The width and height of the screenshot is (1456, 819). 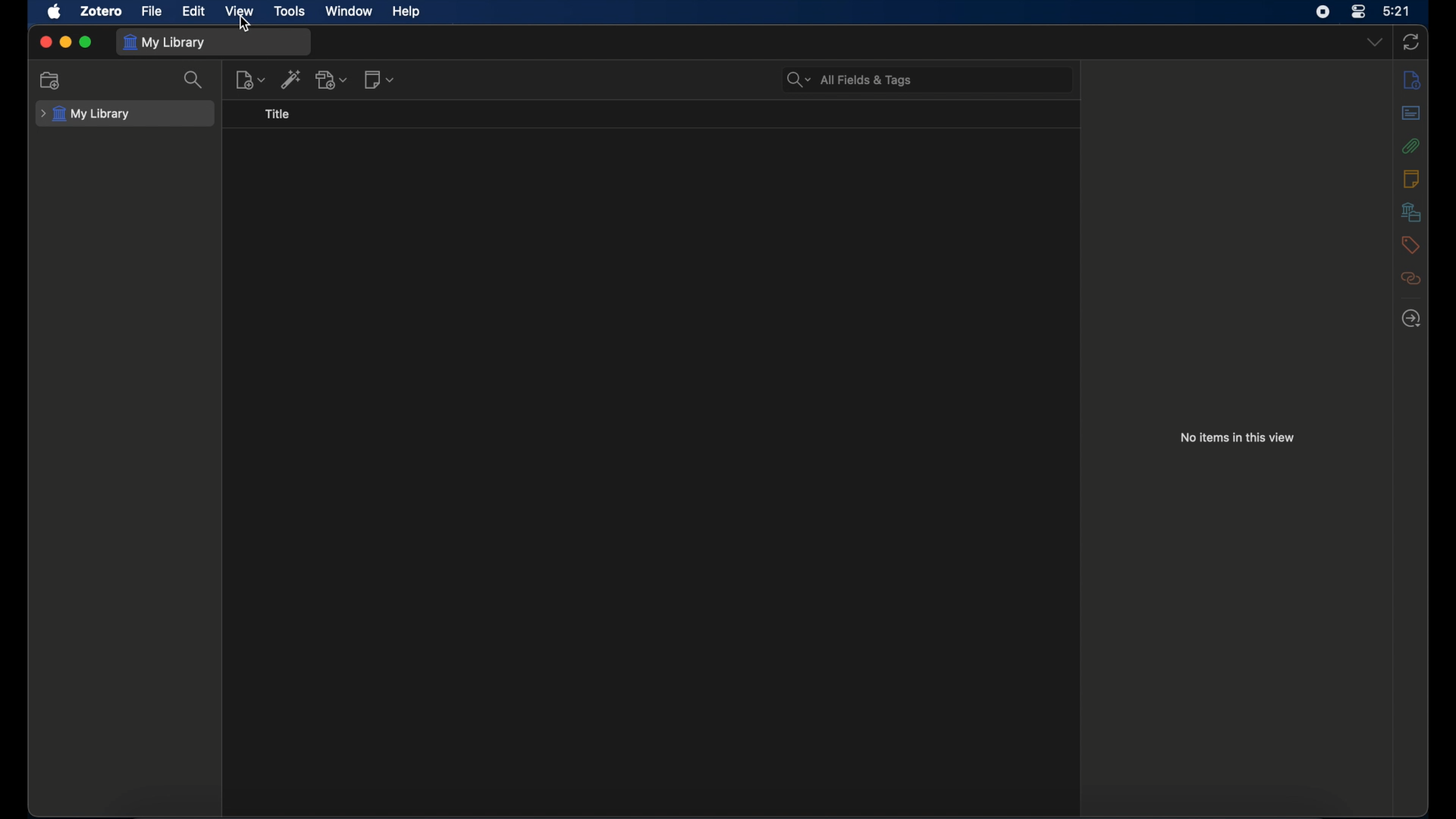 What do you see at coordinates (193, 80) in the screenshot?
I see `search` at bounding box center [193, 80].